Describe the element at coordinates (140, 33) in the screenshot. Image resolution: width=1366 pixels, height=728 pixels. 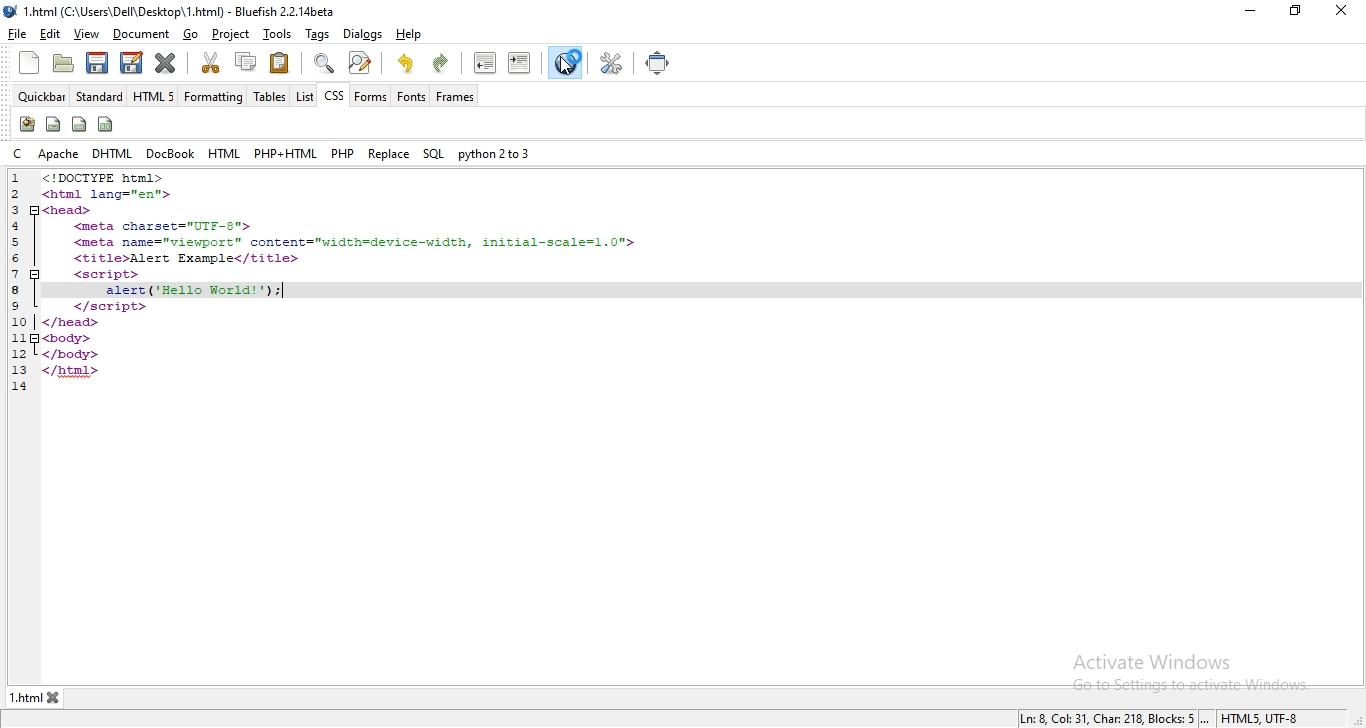
I see `document` at that location.